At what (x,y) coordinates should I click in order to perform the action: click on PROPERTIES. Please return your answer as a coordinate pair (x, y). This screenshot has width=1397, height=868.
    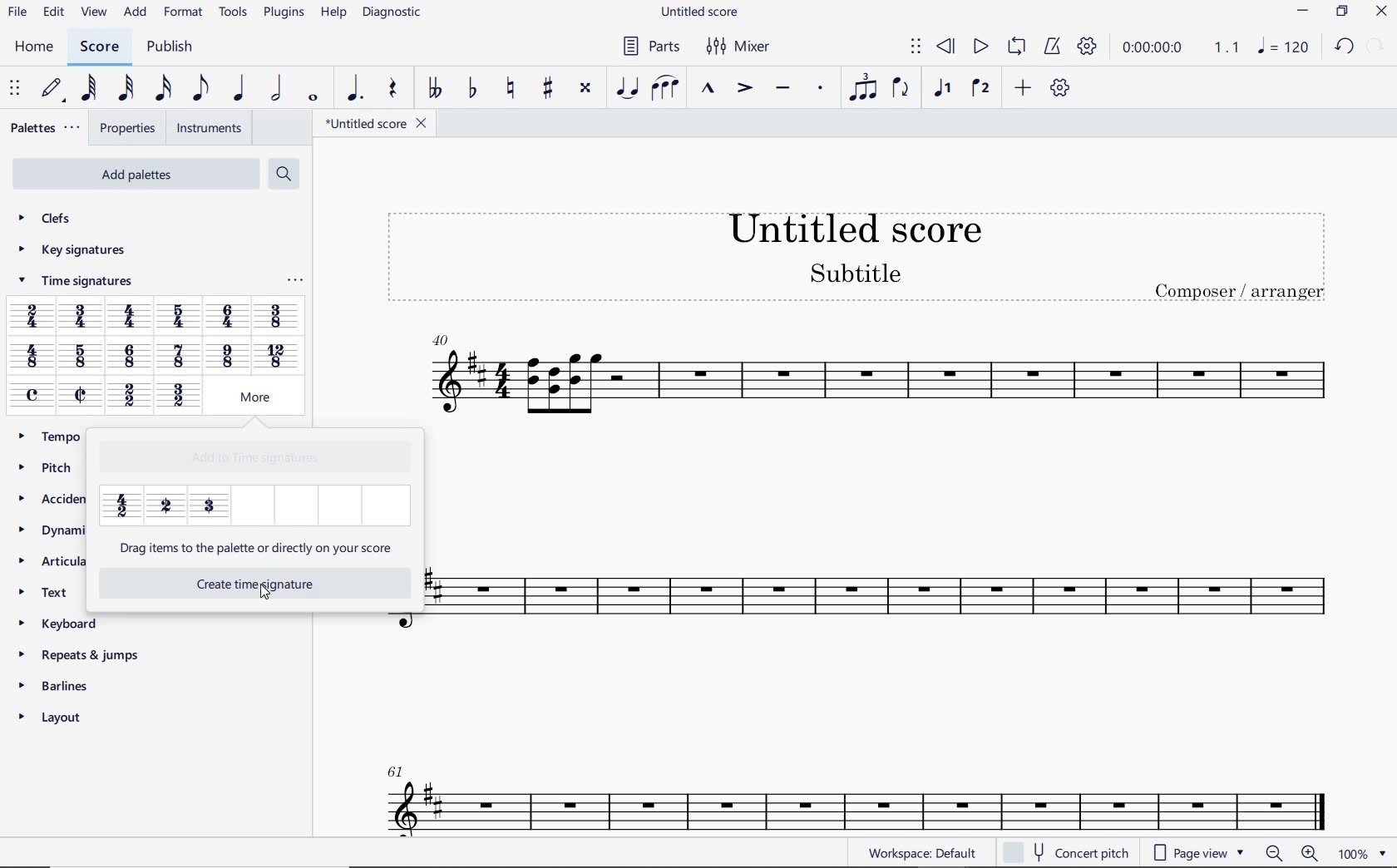
    Looking at the image, I should click on (126, 129).